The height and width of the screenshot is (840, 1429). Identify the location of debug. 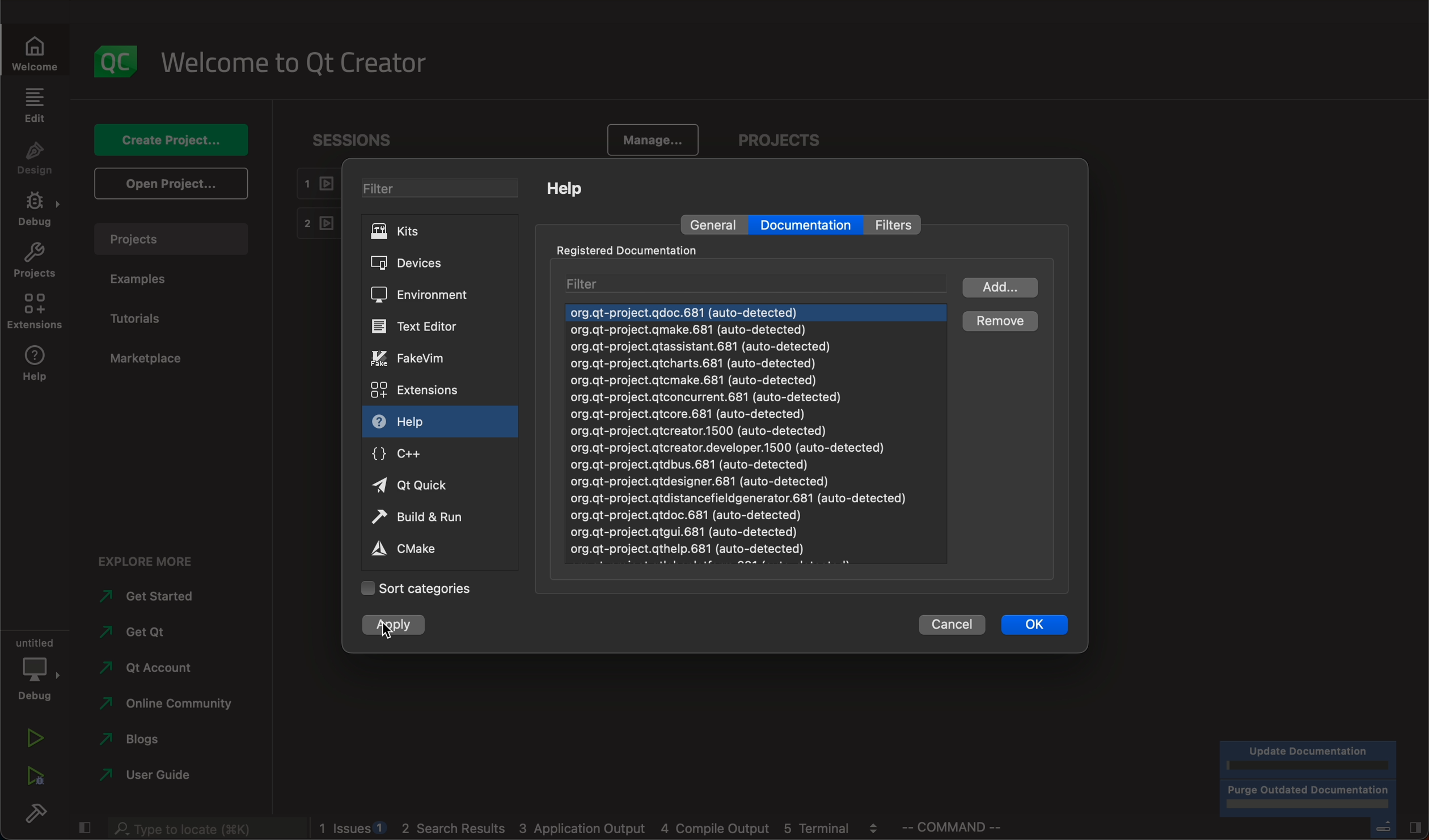
(38, 667).